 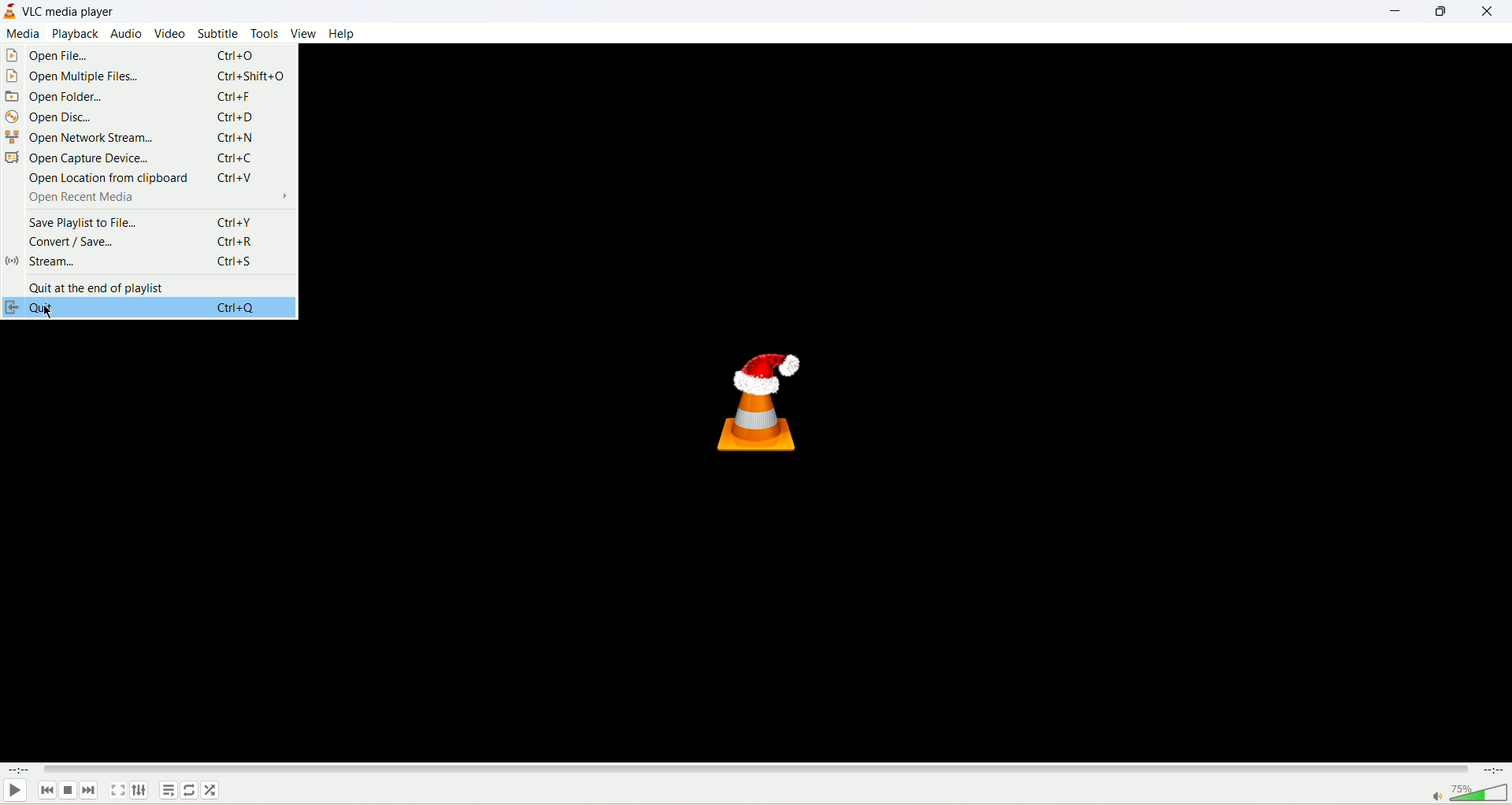 I want to click on open disc, so click(x=146, y=117).